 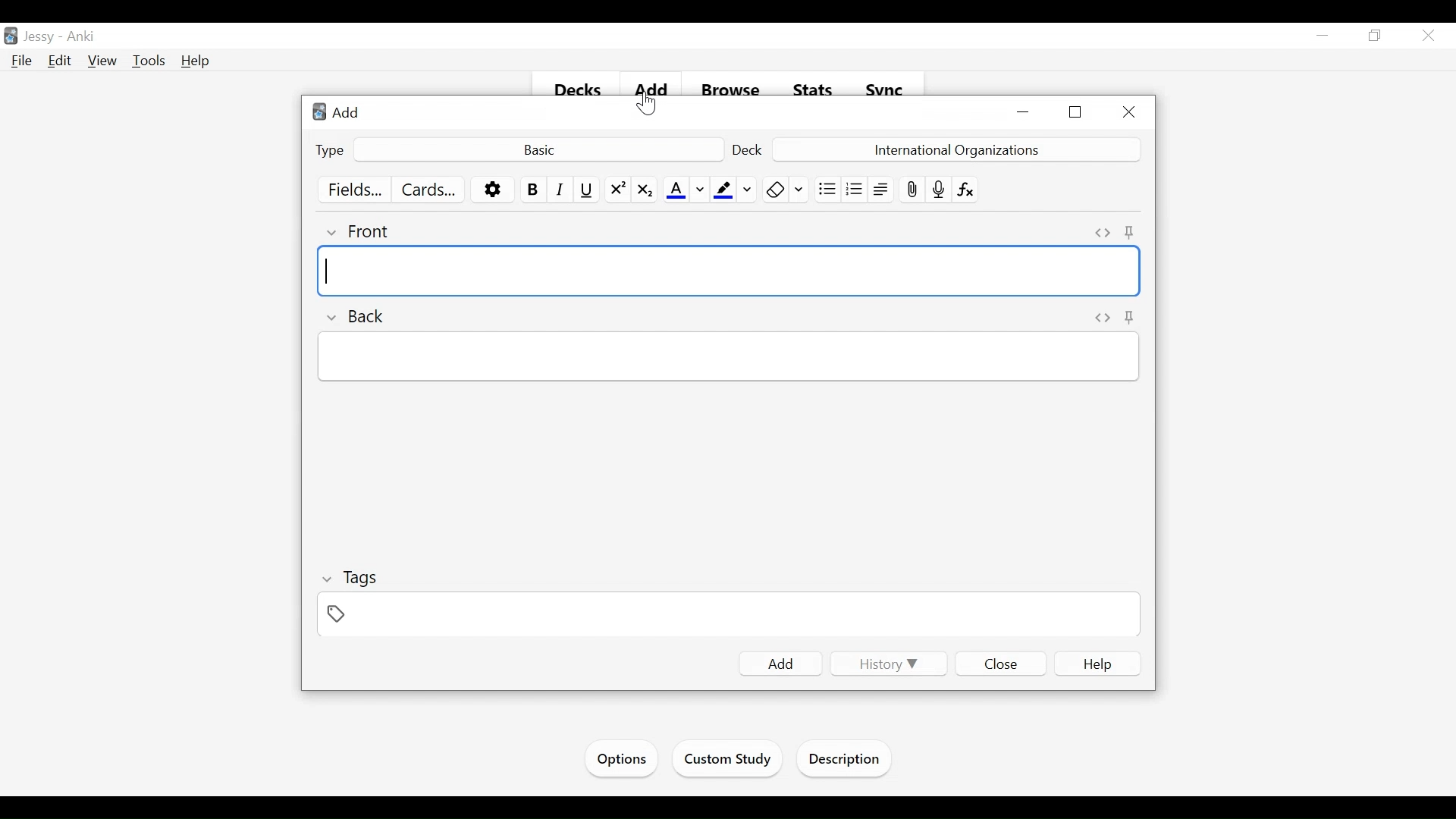 What do you see at coordinates (1323, 36) in the screenshot?
I see `minimize` at bounding box center [1323, 36].